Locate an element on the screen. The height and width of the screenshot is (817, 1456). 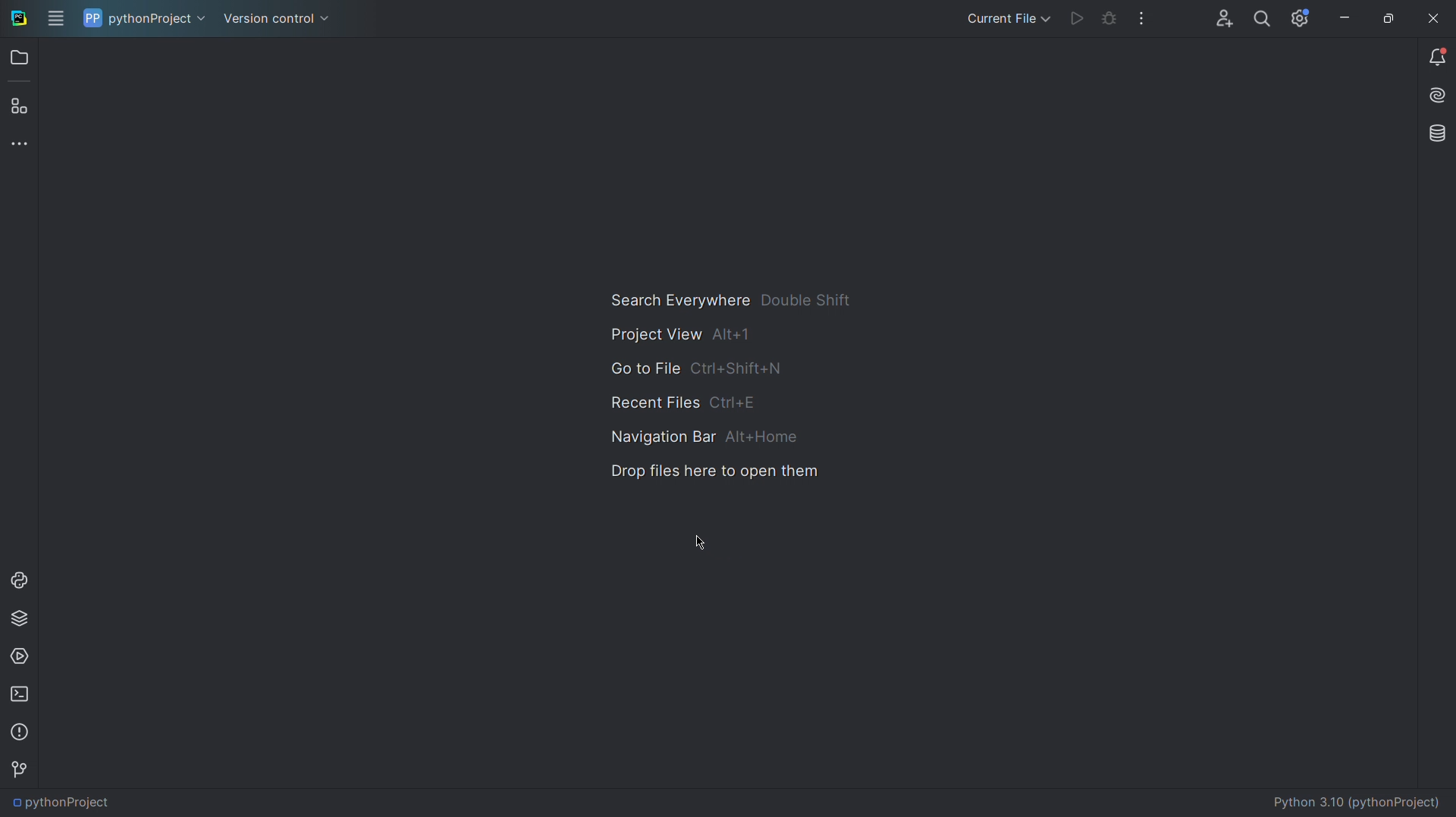
run is located at coordinates (1075, 21).